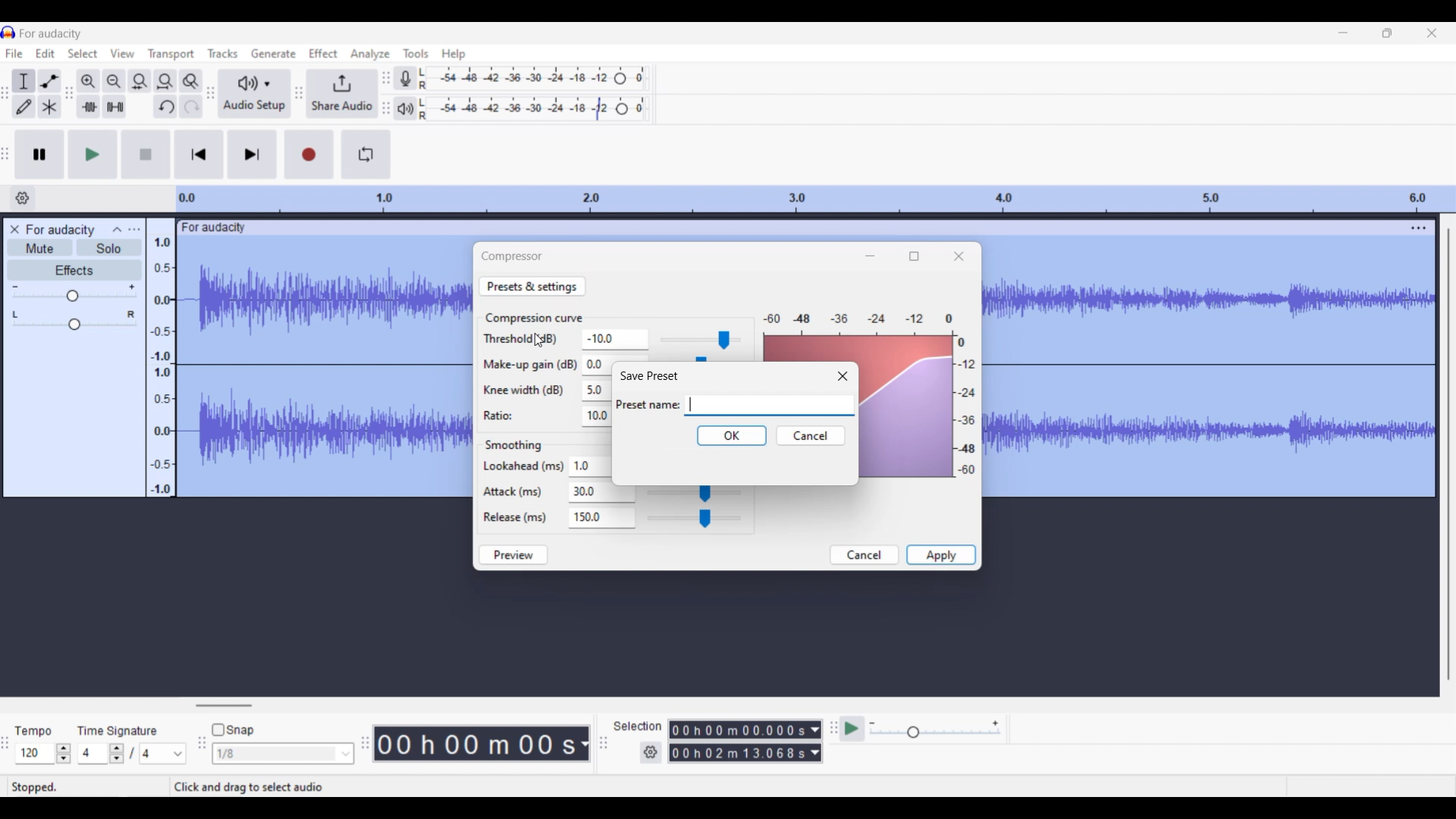  I want to click on Track settings, so click(1419, 227).